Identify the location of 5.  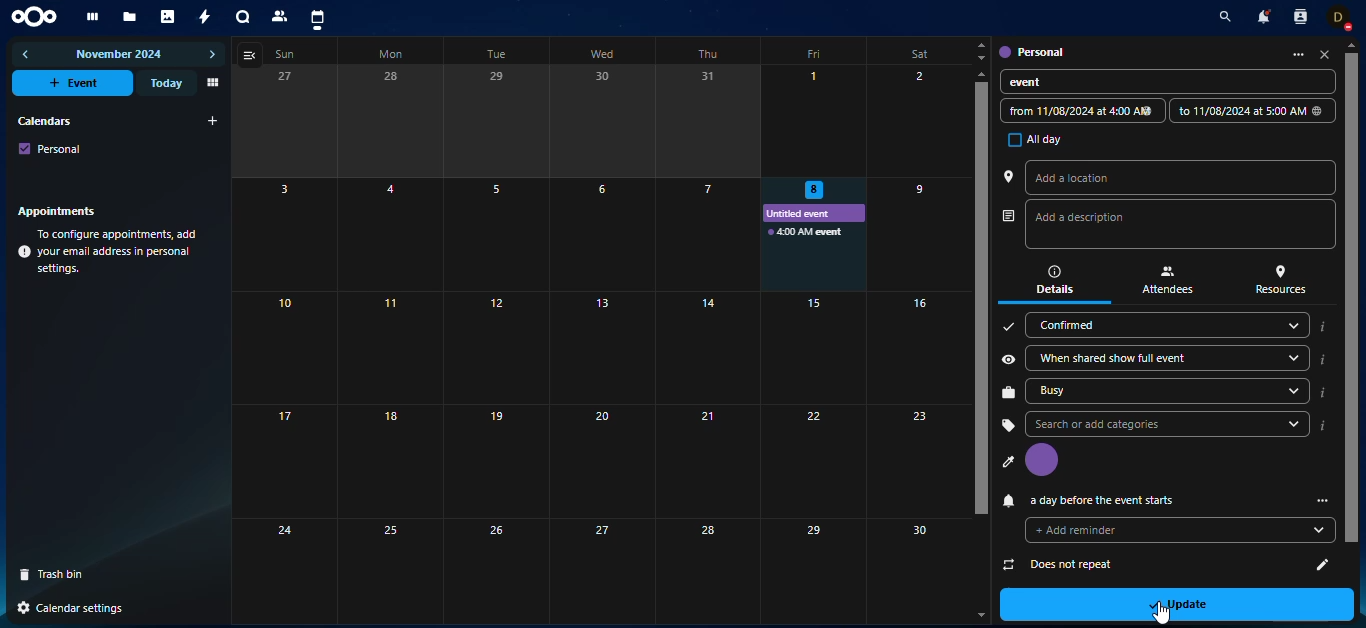
(497, 234).